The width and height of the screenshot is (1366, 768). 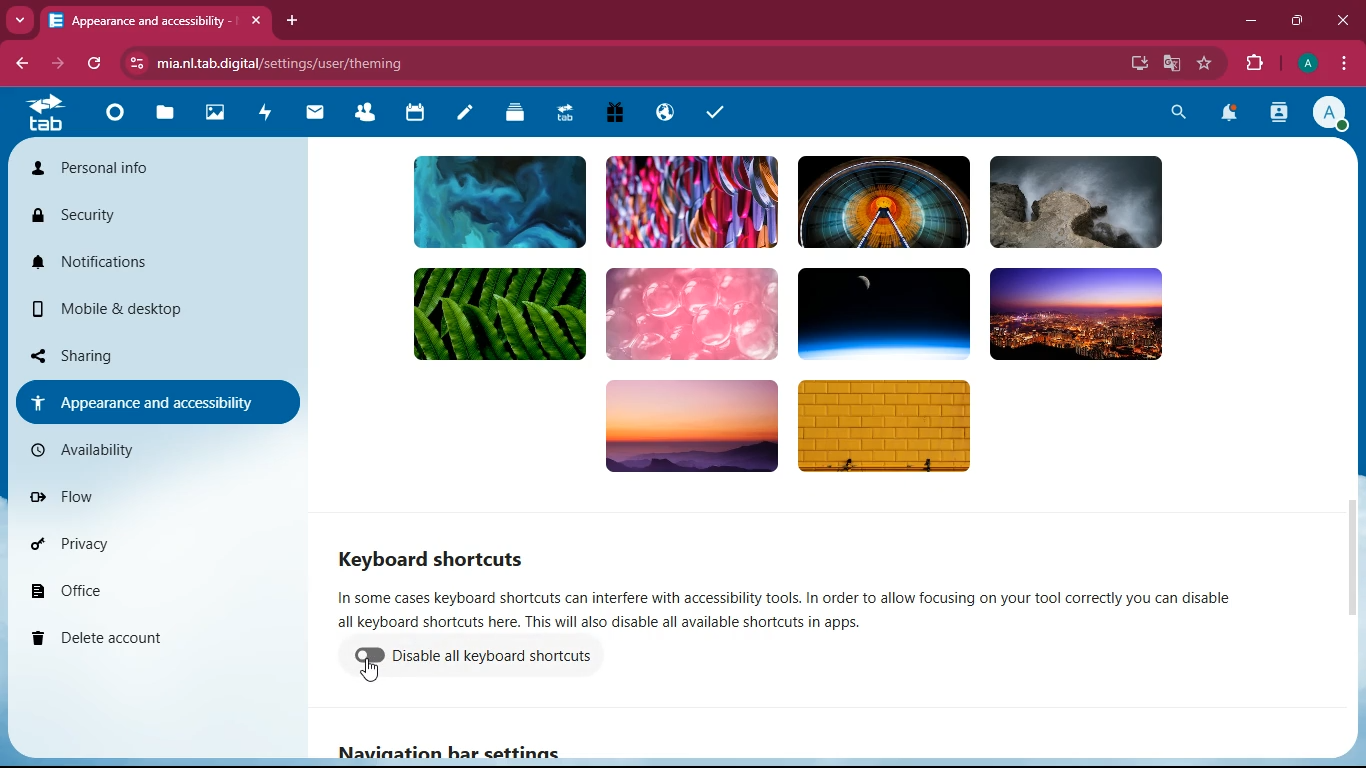 What do you see at coordinates (154, 16) in the screenshot?
I see `tab` at bounding box center [154, 16].